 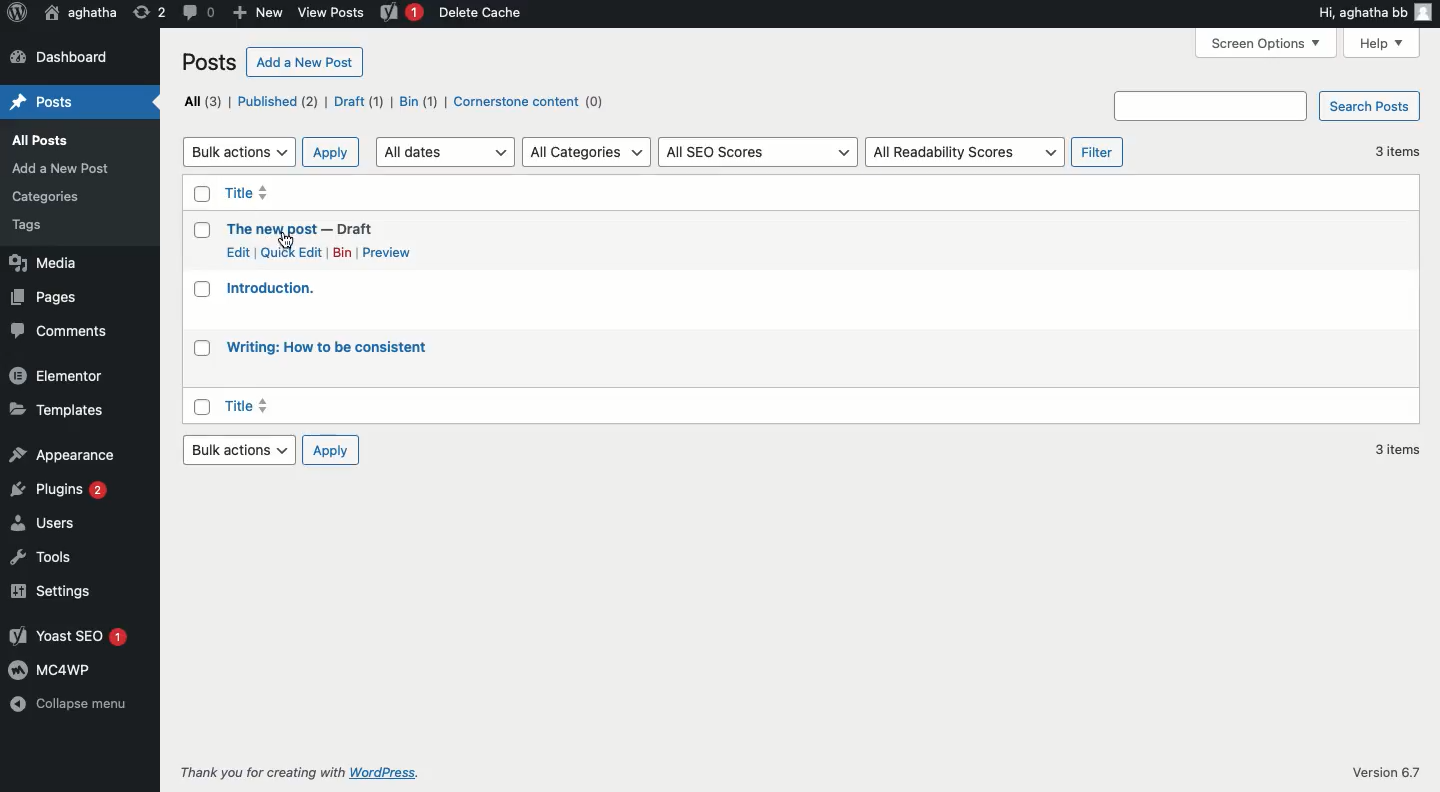 I want to click on Cursor, so click(x=285, y=240).